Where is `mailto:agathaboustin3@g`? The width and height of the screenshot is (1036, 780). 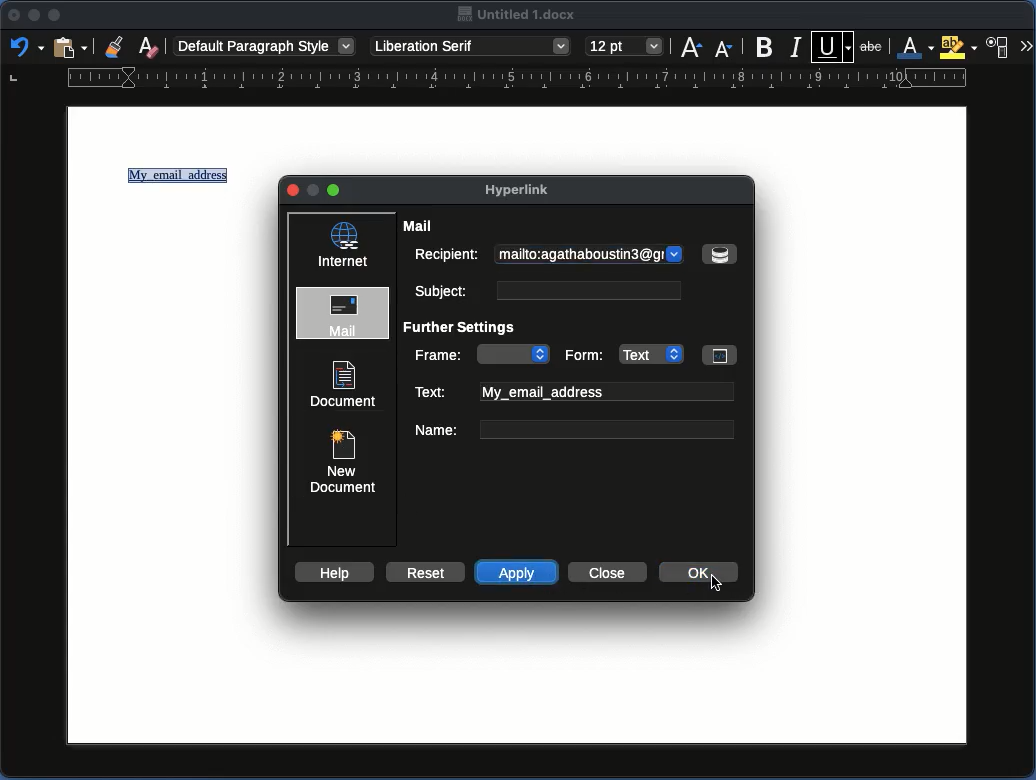 mailto:agathaboustin3@g is located at coordinates (591, 255).